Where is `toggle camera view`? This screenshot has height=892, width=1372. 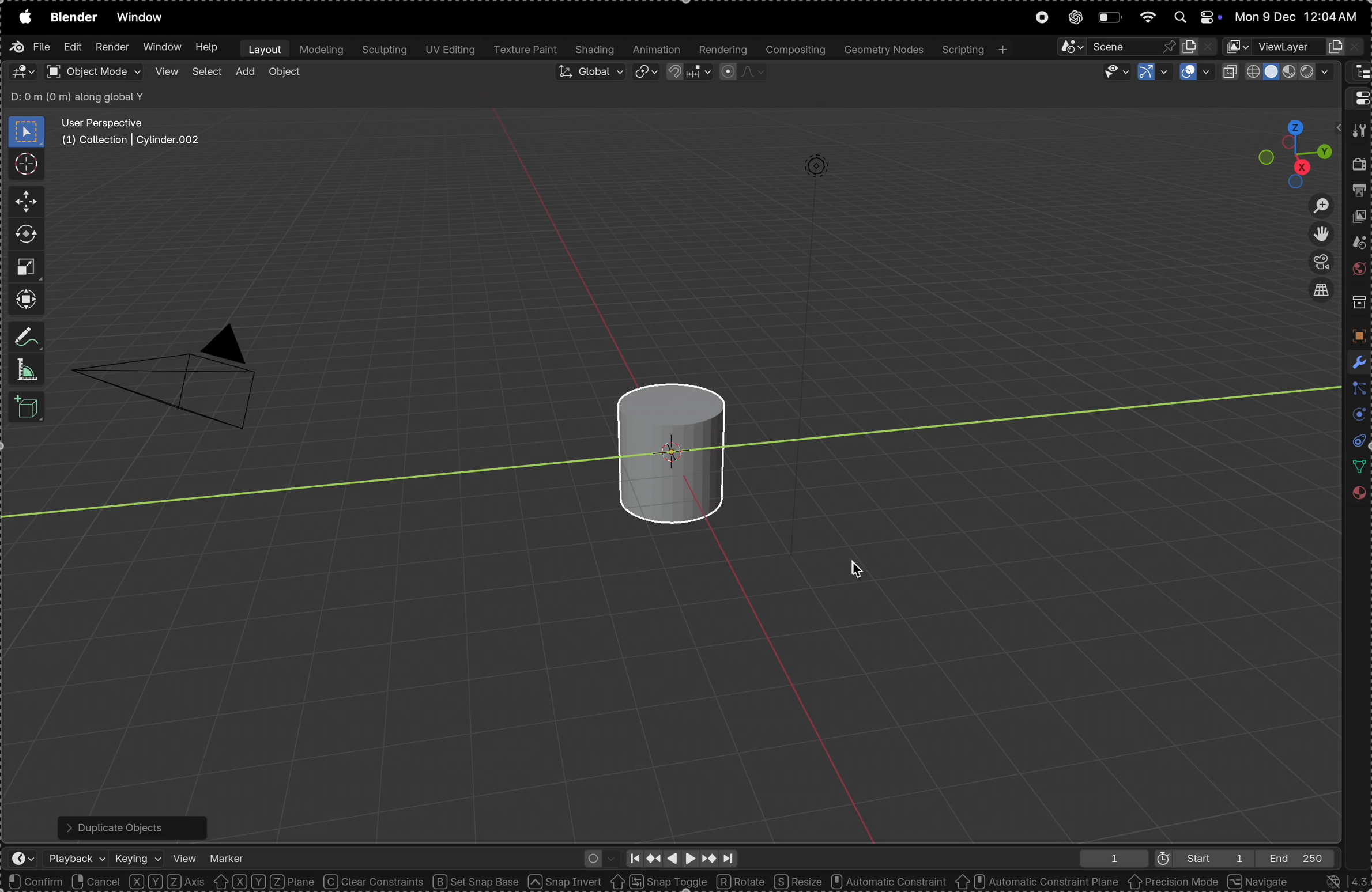 toggle camera view is located at coordinates (1317, 263).